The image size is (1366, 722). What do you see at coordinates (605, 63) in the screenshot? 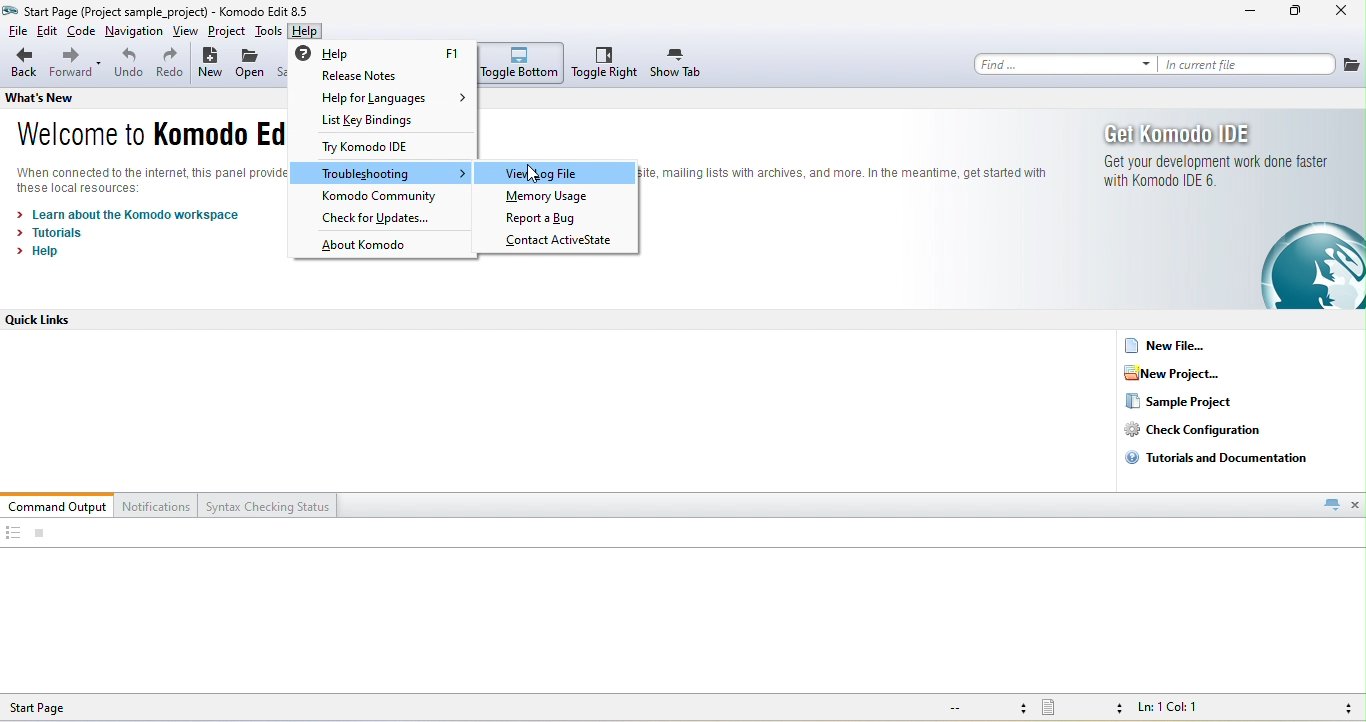
I see `toggle right` at bounding box center [605, 63].